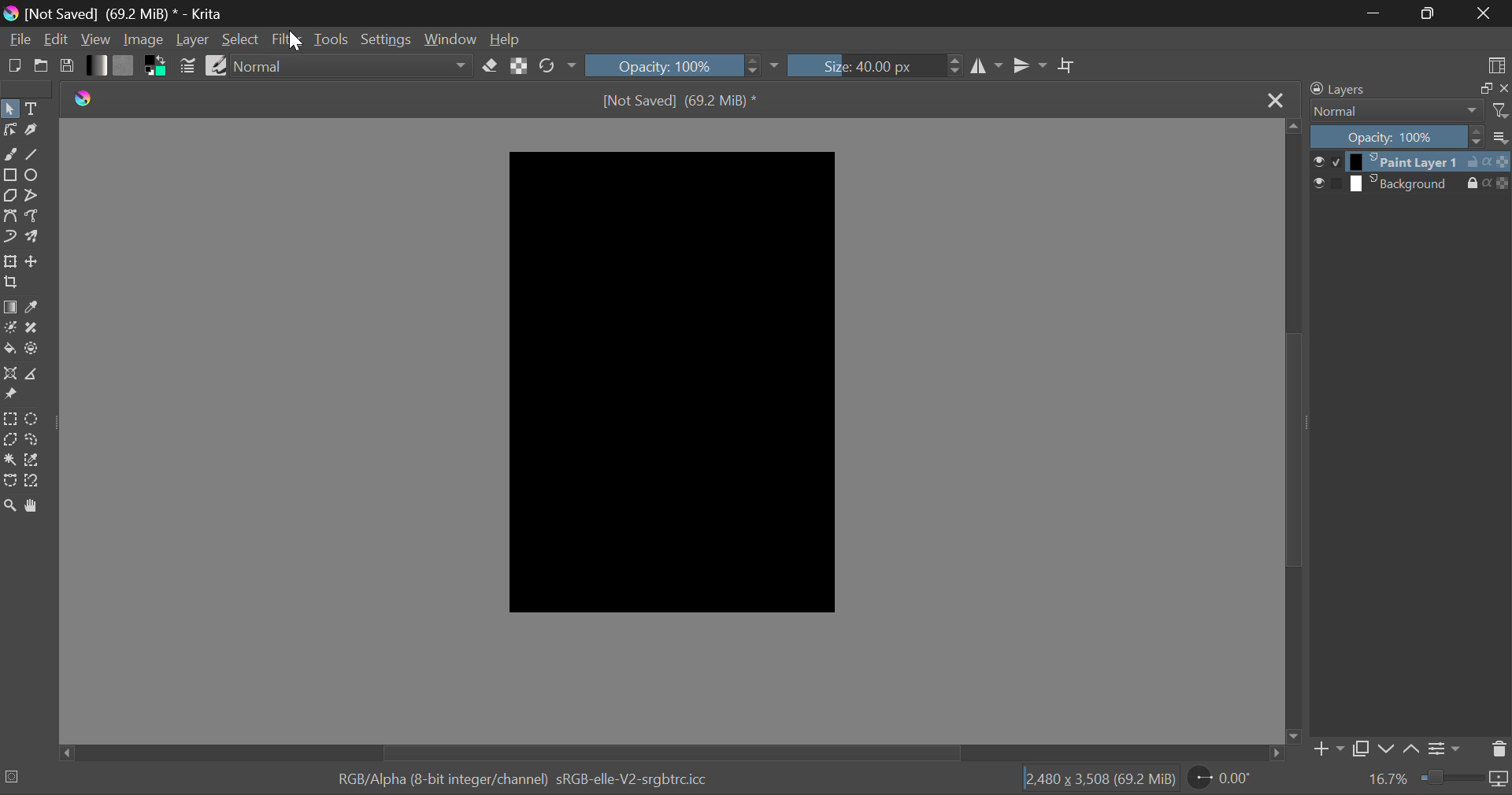 The height and width of the screenshot is (795, 1512). I want to click on filter, so click(1497, 110).